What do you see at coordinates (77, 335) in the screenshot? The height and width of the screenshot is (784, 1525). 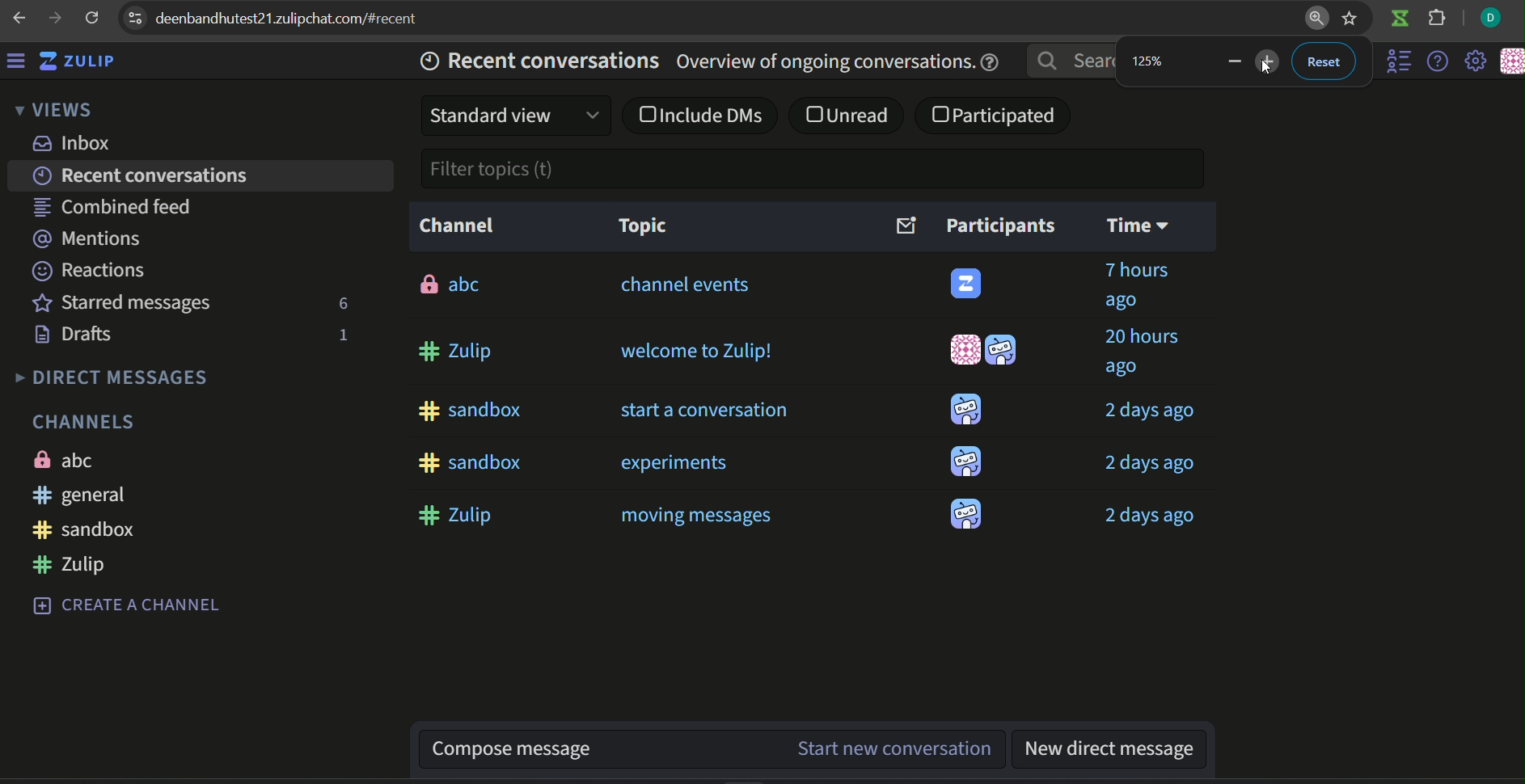 I see `draft` at bounding box center [77, 335].